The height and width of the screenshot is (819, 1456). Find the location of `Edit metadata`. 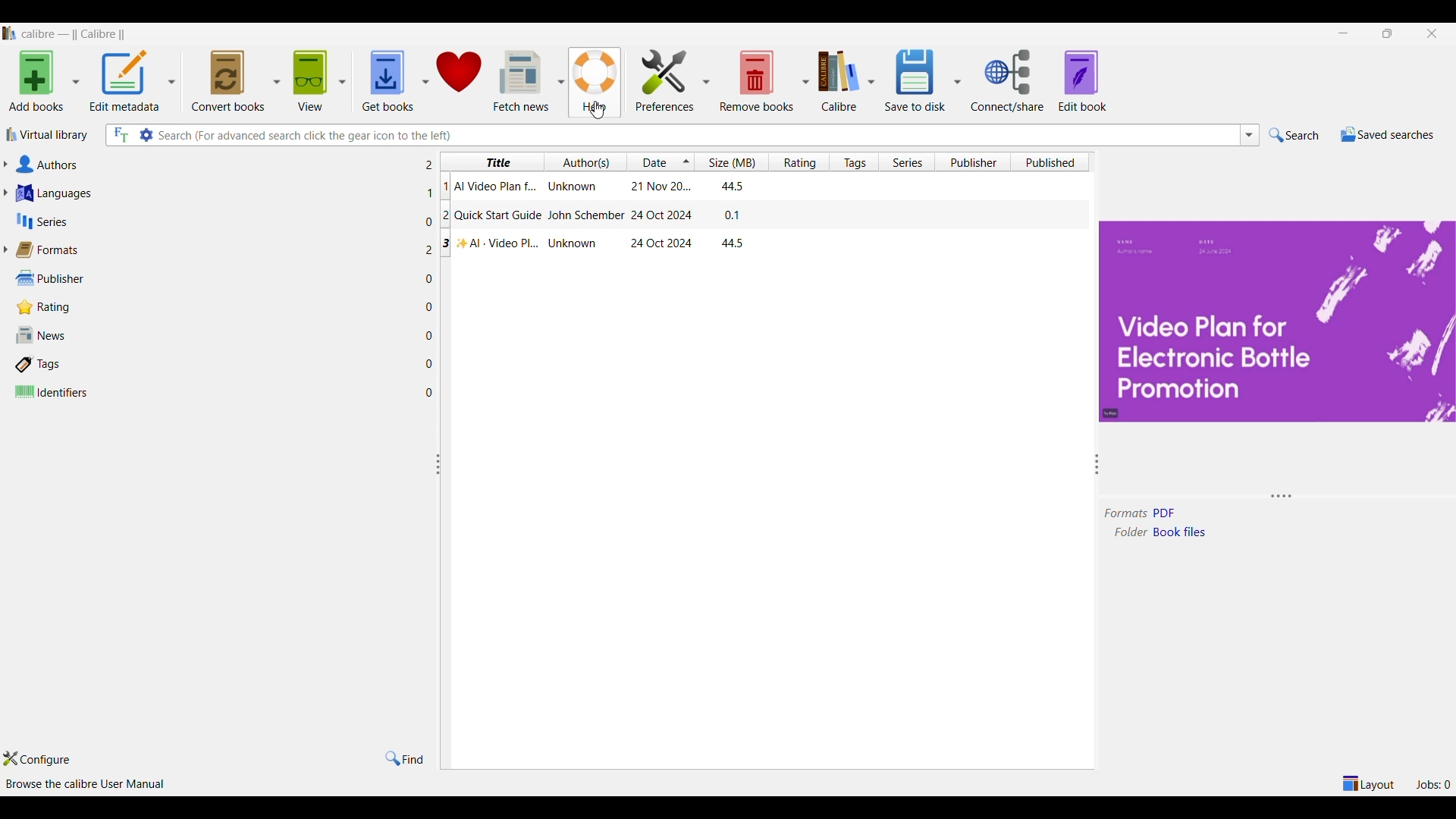

Edit metadata is located at coordinates (126, 82).